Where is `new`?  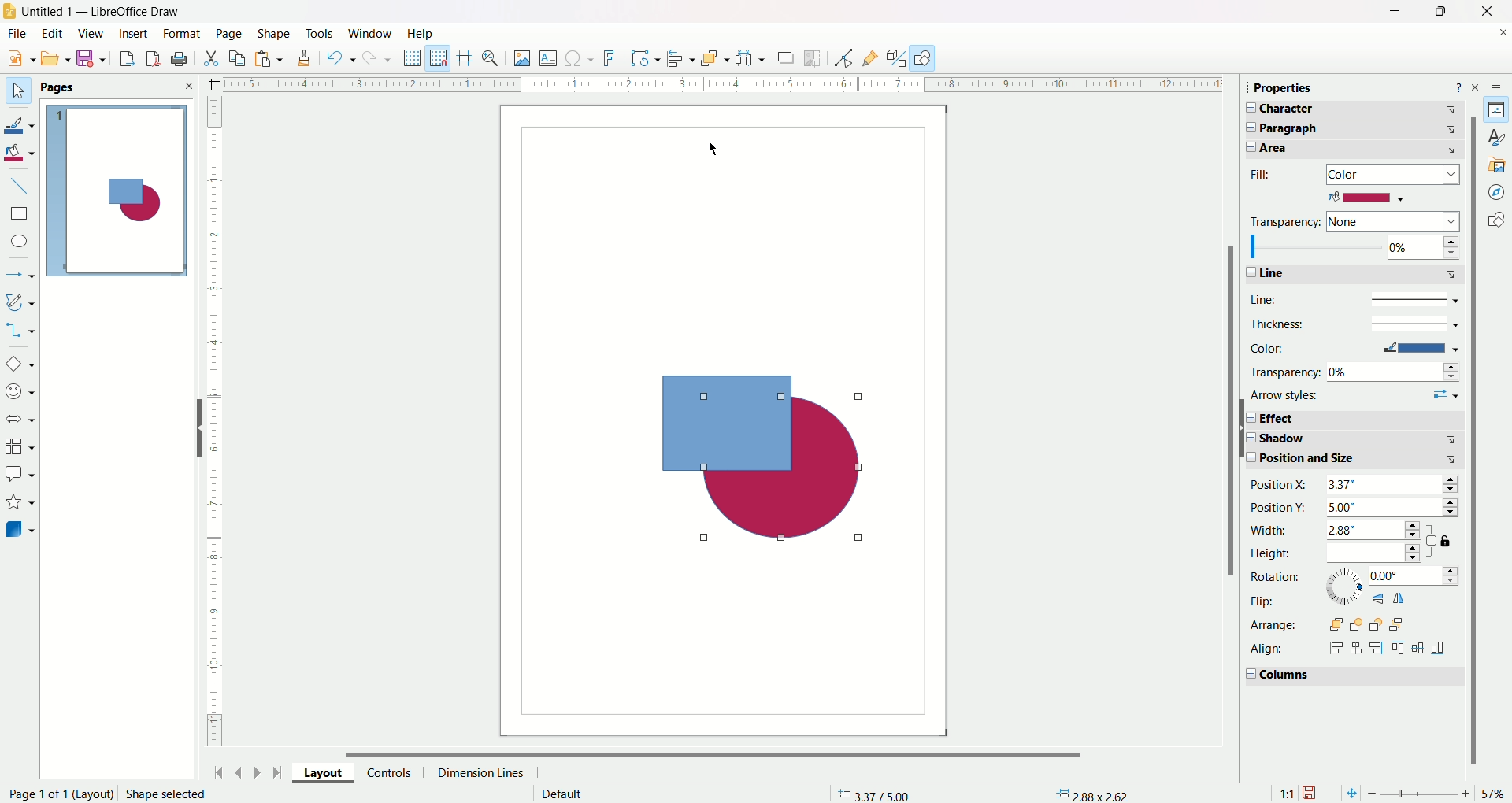 new is located at coordinates (18, 59).